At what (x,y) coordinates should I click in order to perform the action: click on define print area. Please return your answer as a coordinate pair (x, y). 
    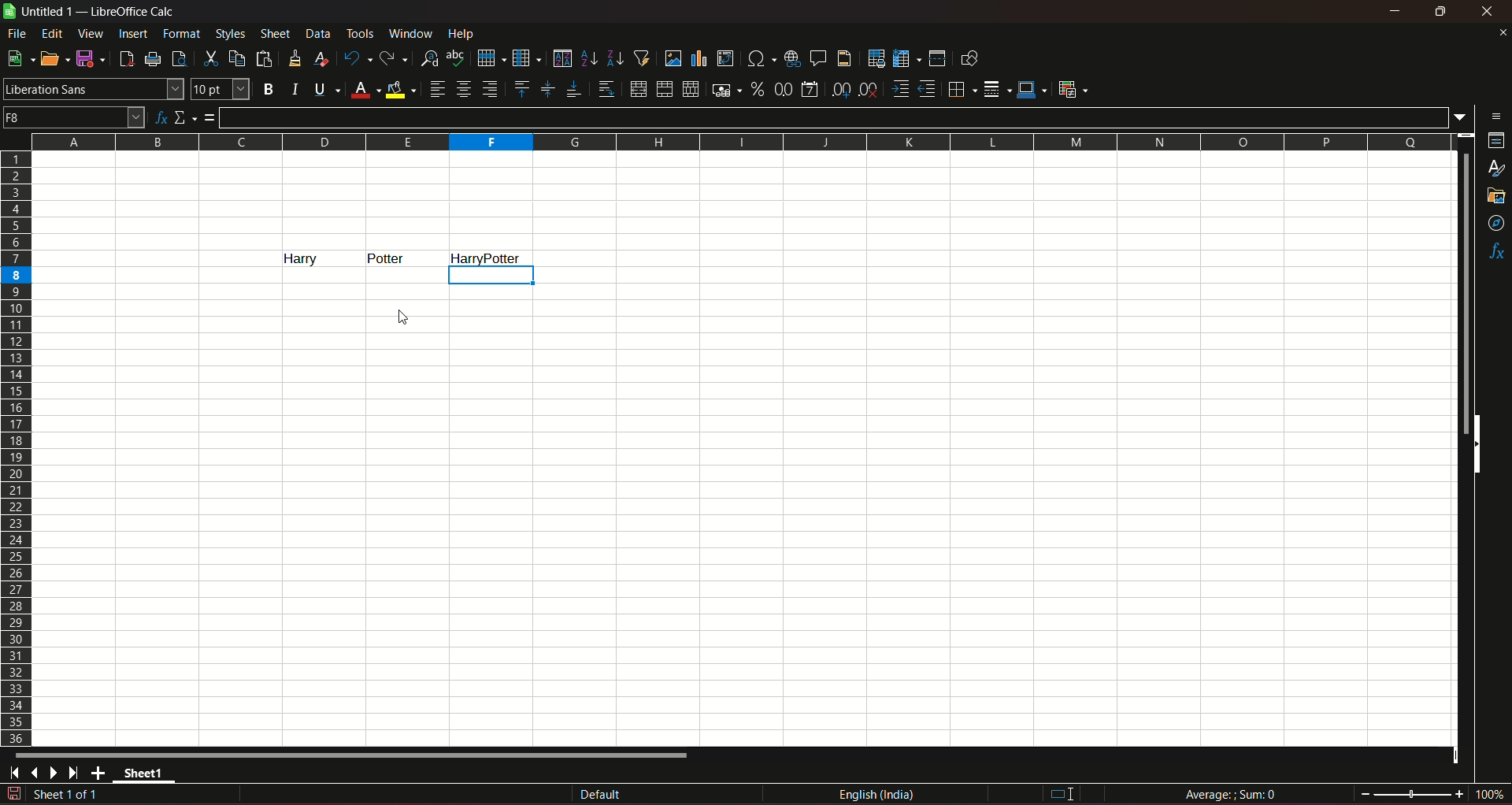
    Looking at the image, I should click on (876, 59).